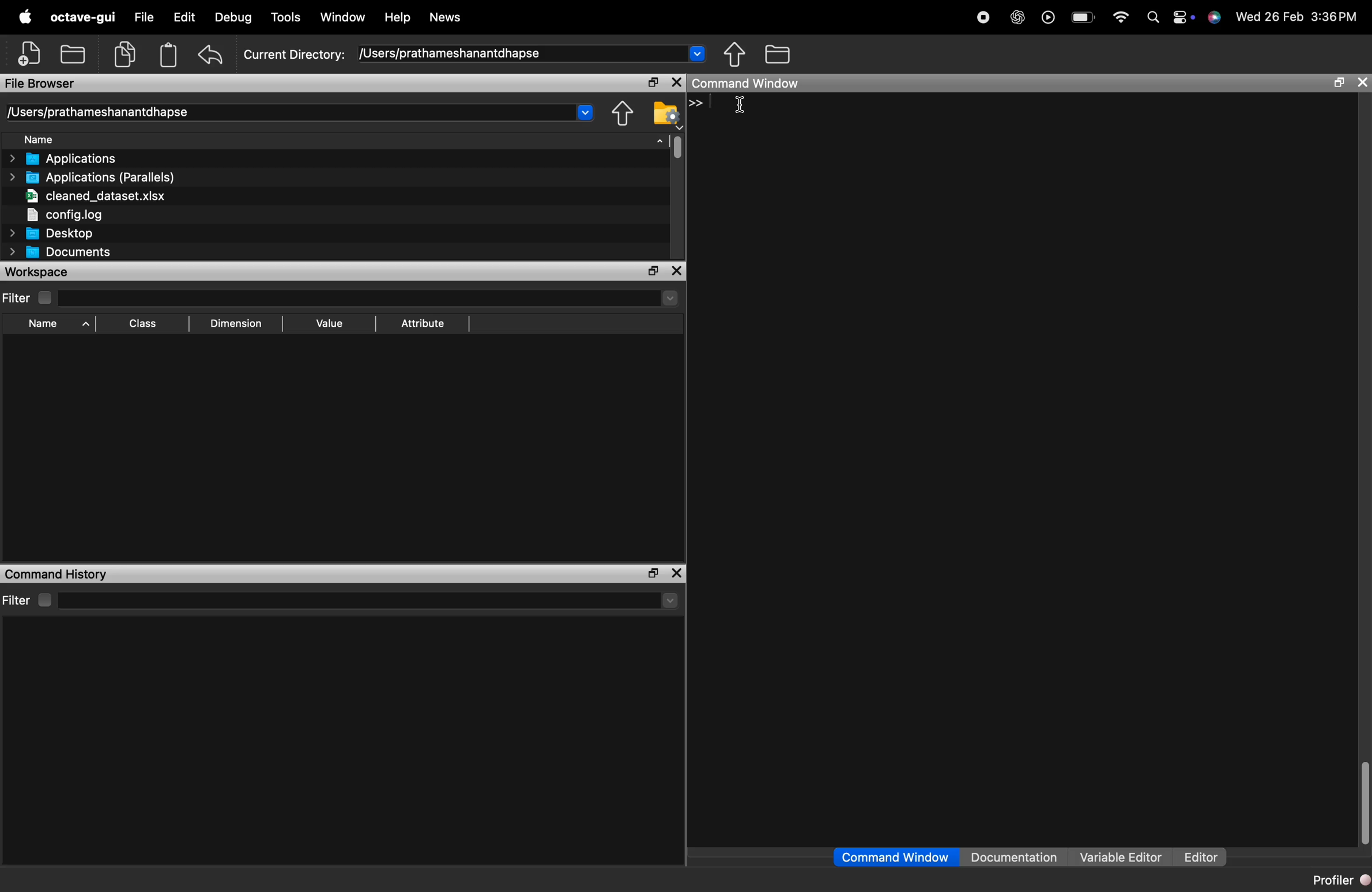 This screenshot has height=892, width=1372. Describe the element at coordinates (1118, 857) in the screenshot. I see `Variable Editor` at that location.